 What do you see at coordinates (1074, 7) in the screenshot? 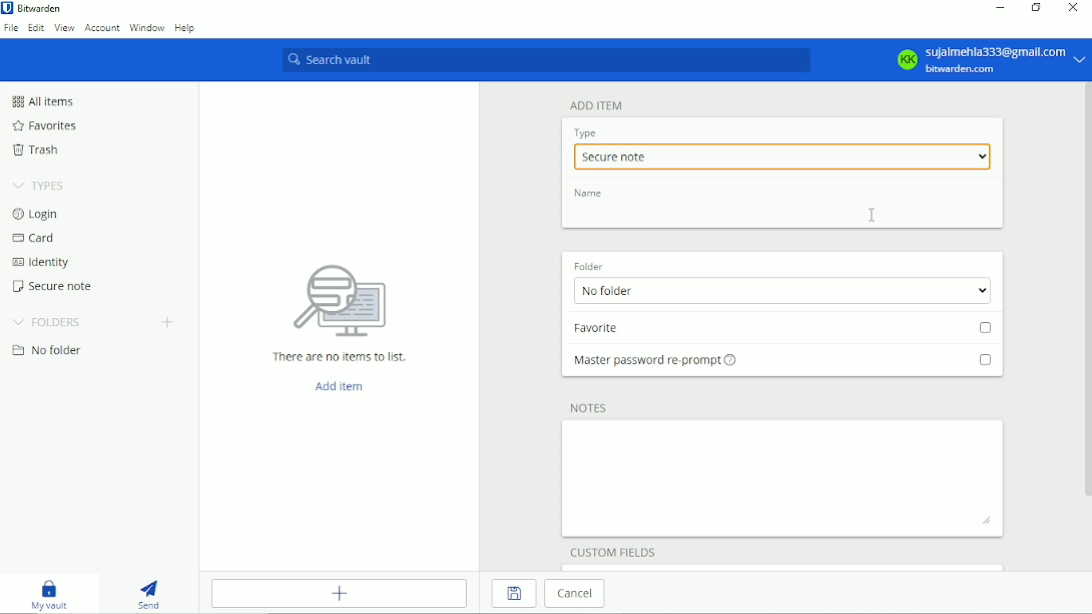
I see `Close` at bounding box center [1074, 7].